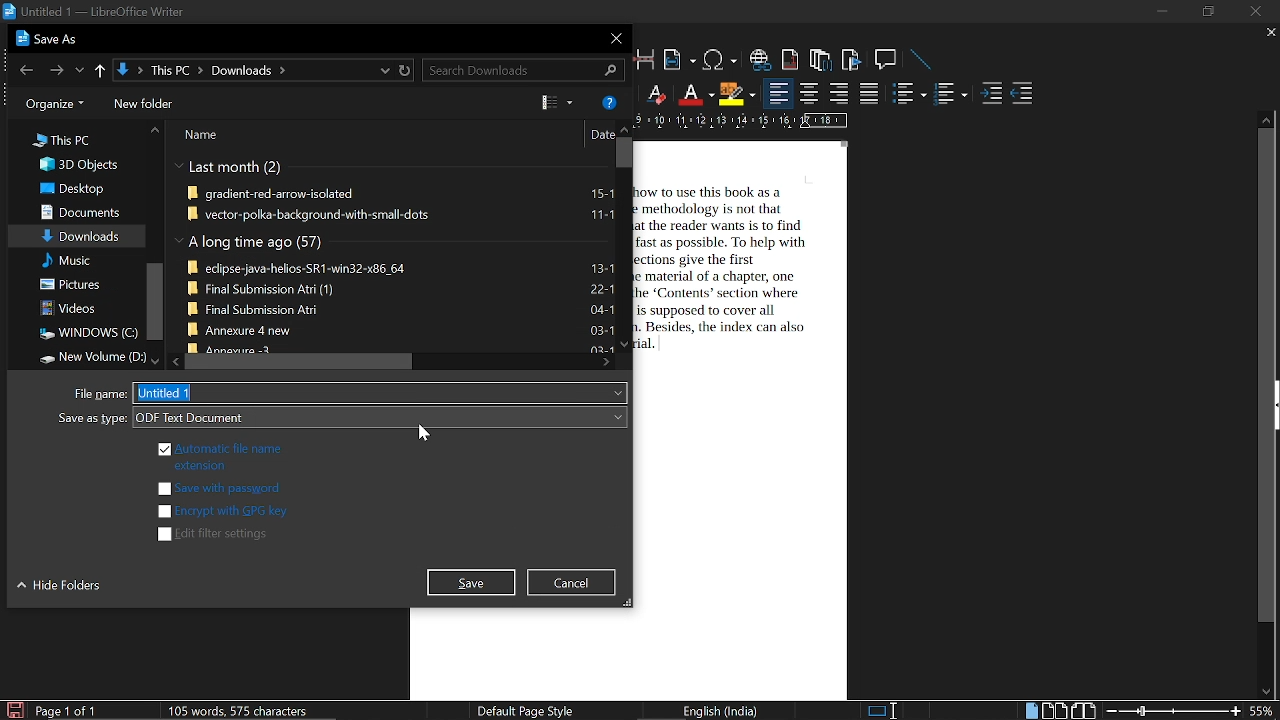 The image size is (1280, 720). What do you see at coordinates (382, 70) in the screenshot?
I see `recent location` at bounding box center [382, 70].